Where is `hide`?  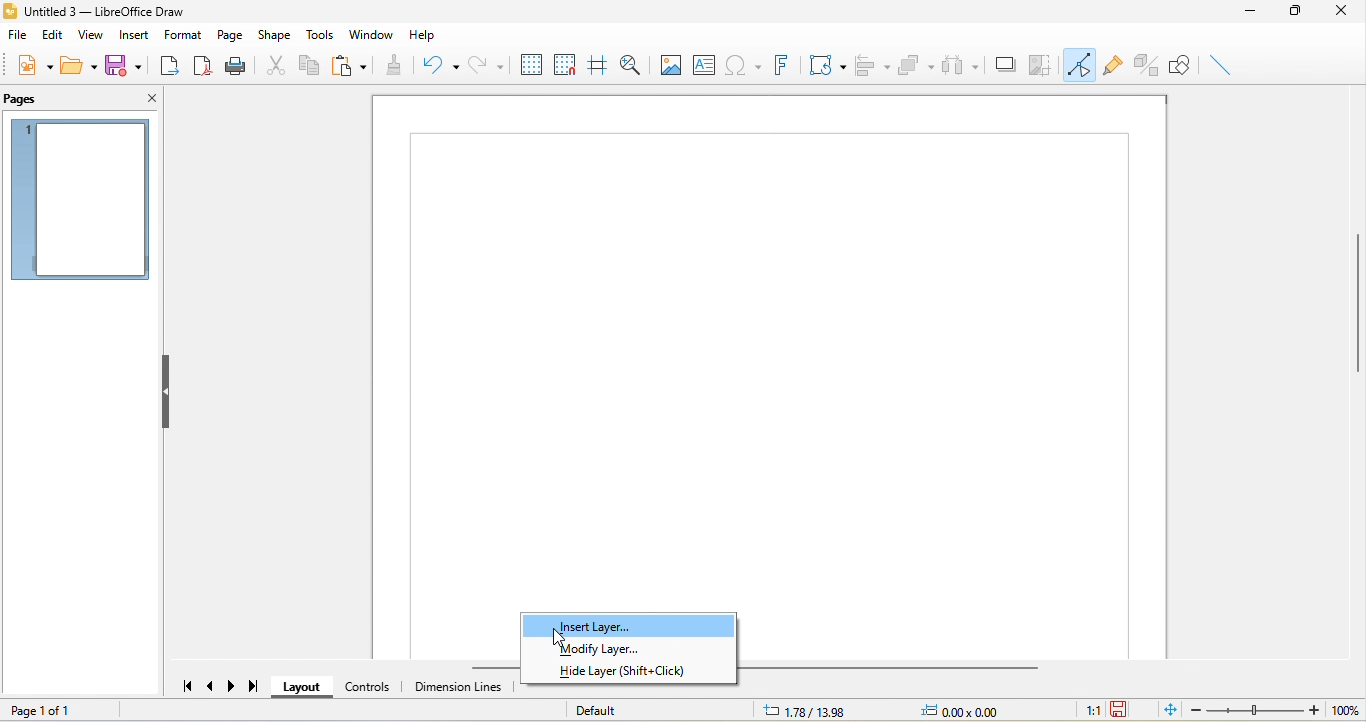
hide is located at coordinates (165, 390).